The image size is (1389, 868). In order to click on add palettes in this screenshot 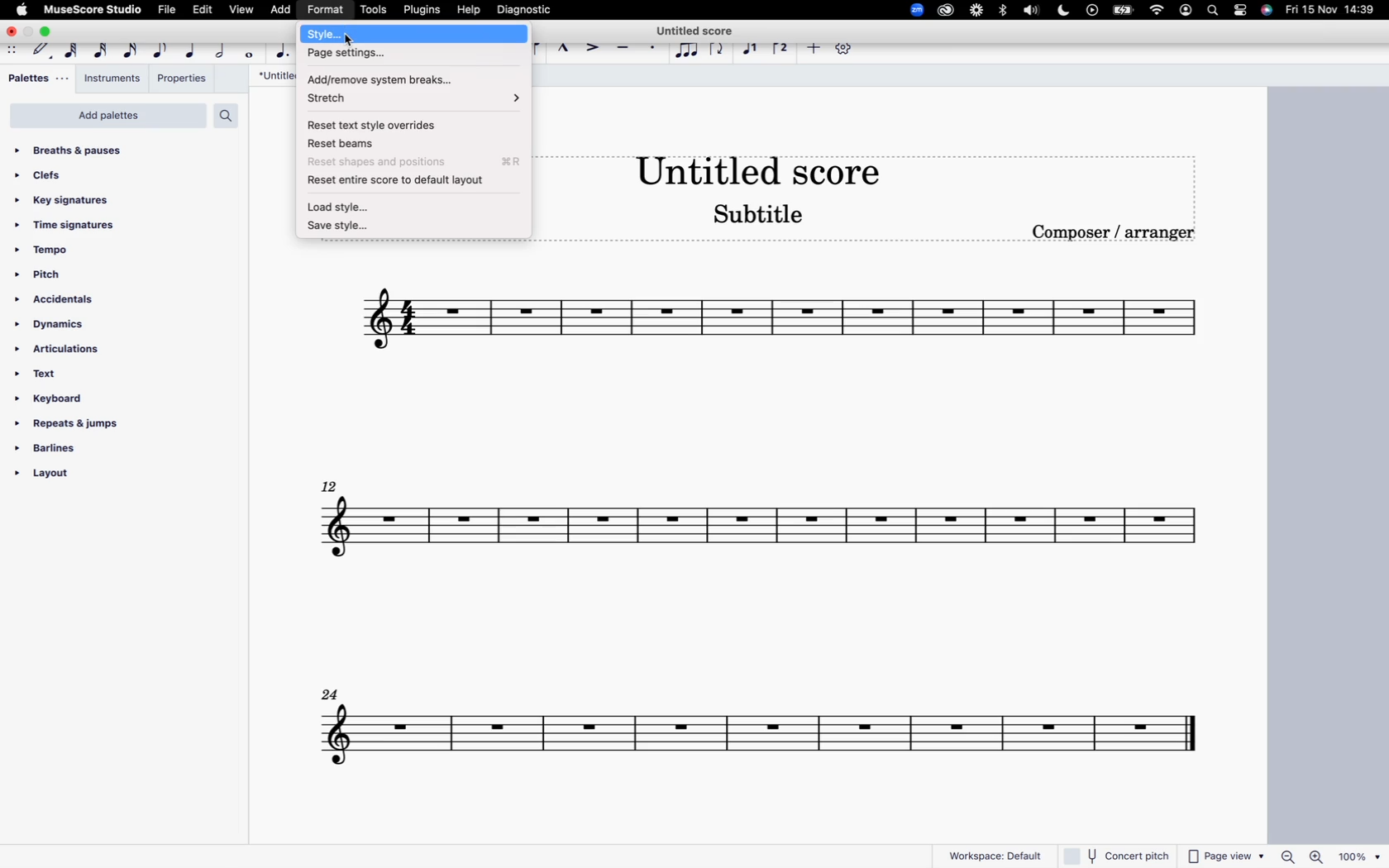, I will do `click(107, 117)`.